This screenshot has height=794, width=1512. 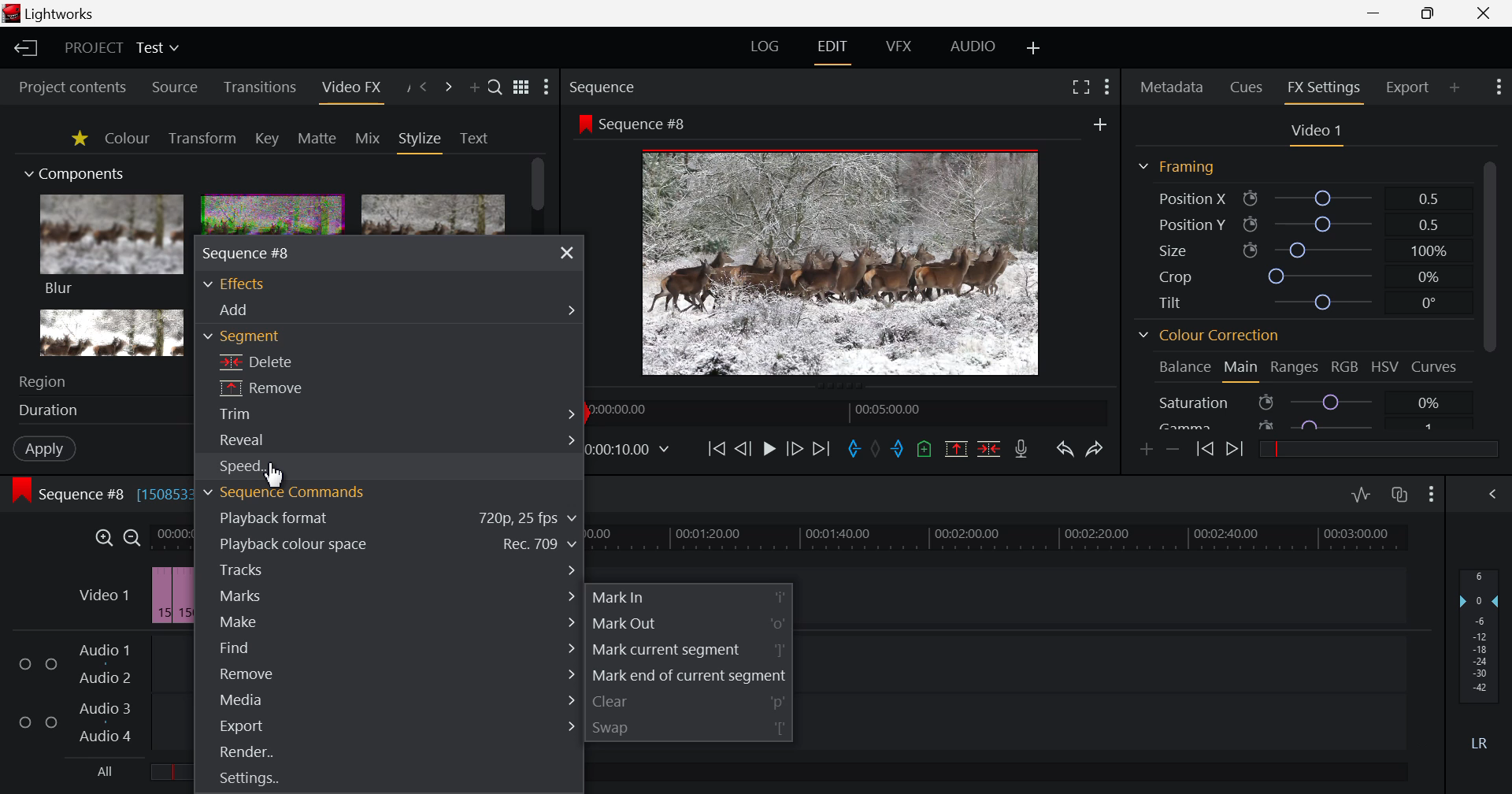 I want to click on Show Settings, so click(x=547, y=87).